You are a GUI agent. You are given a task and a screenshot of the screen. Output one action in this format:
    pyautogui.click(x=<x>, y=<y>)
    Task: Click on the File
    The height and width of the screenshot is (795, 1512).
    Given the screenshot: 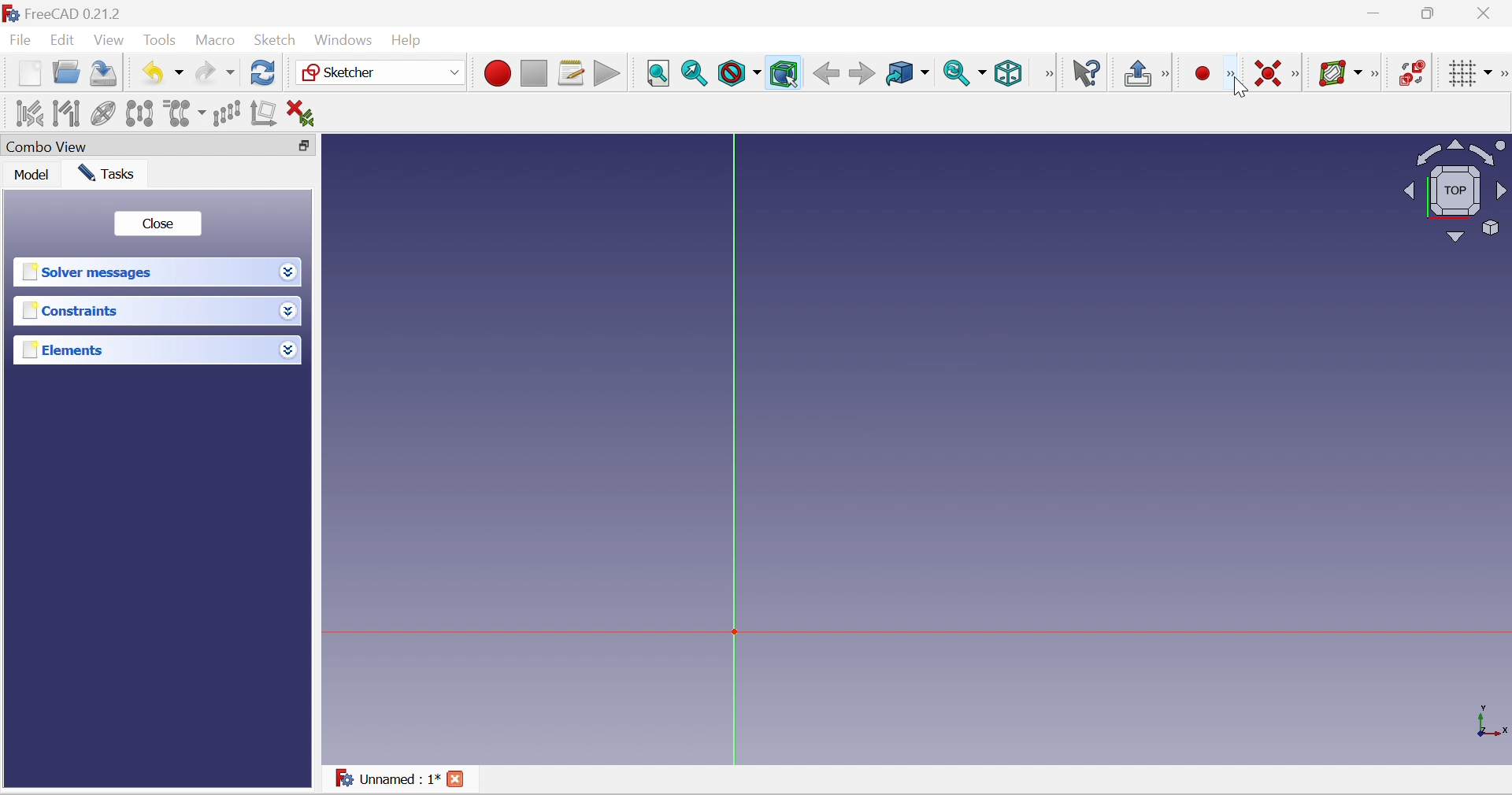 What is the action you would take?
    pyautogui.click(x=20, y=39)
    